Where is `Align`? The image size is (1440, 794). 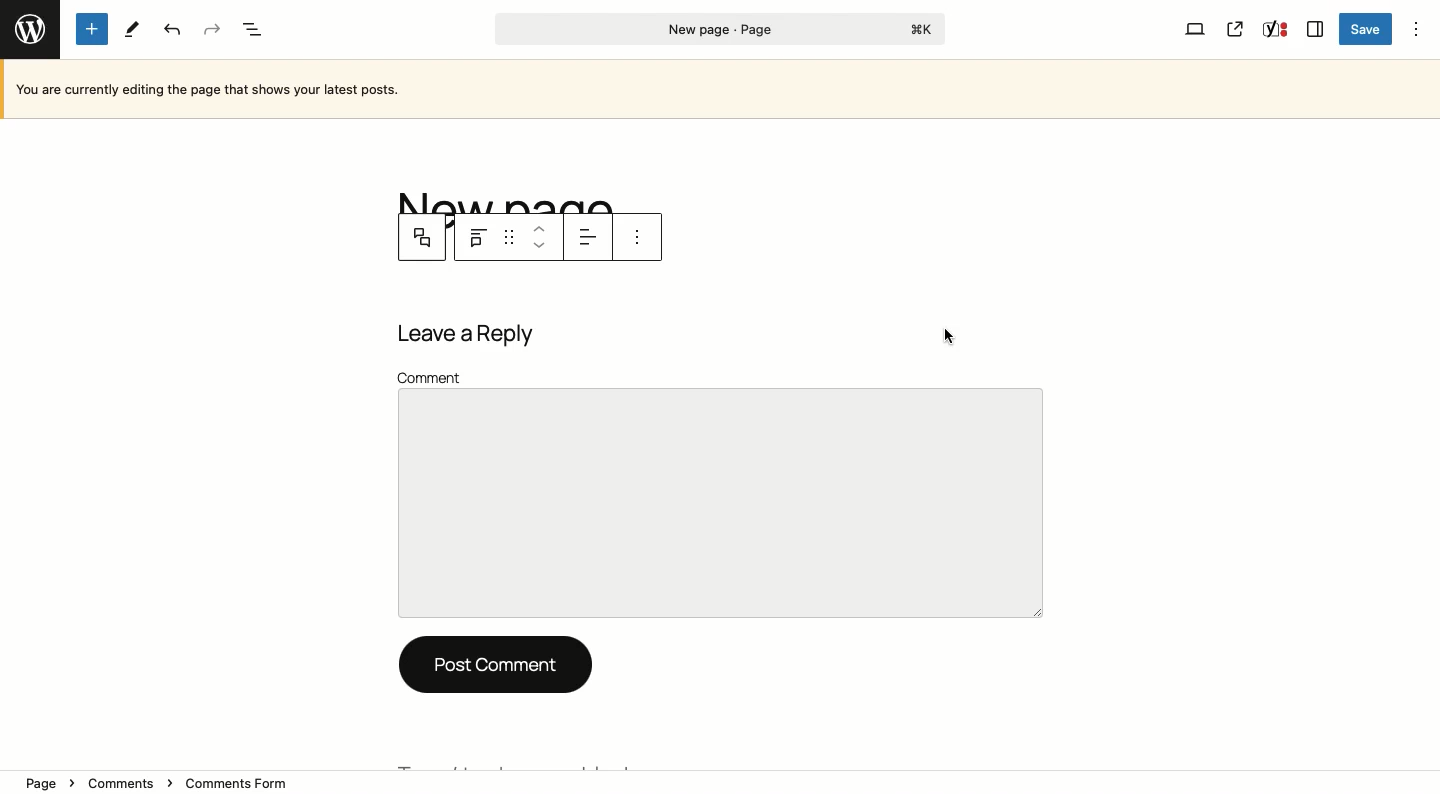 Align is located at coordinates (586, 238).